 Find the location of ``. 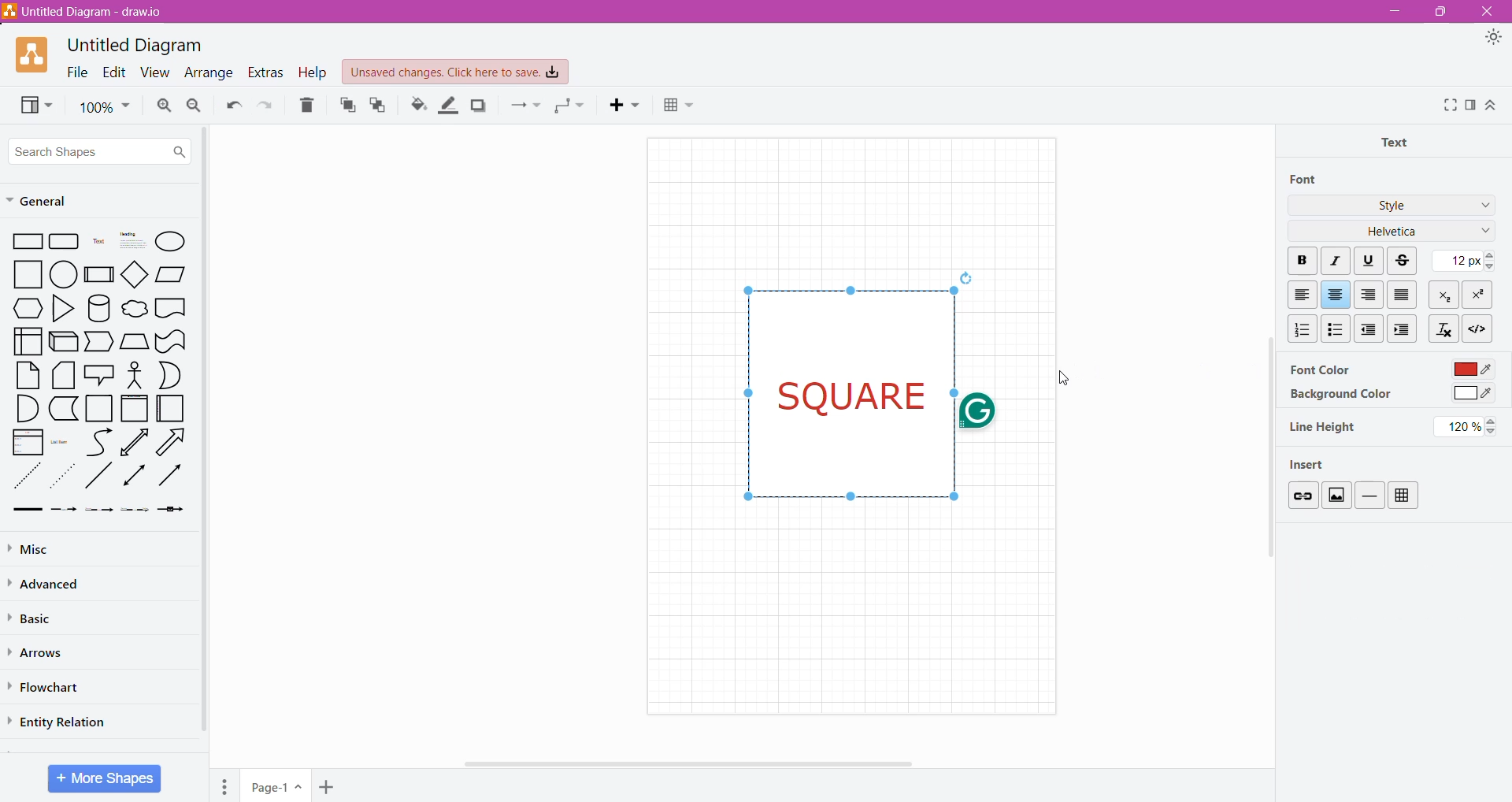

 is located at coordinates (1394, 231).